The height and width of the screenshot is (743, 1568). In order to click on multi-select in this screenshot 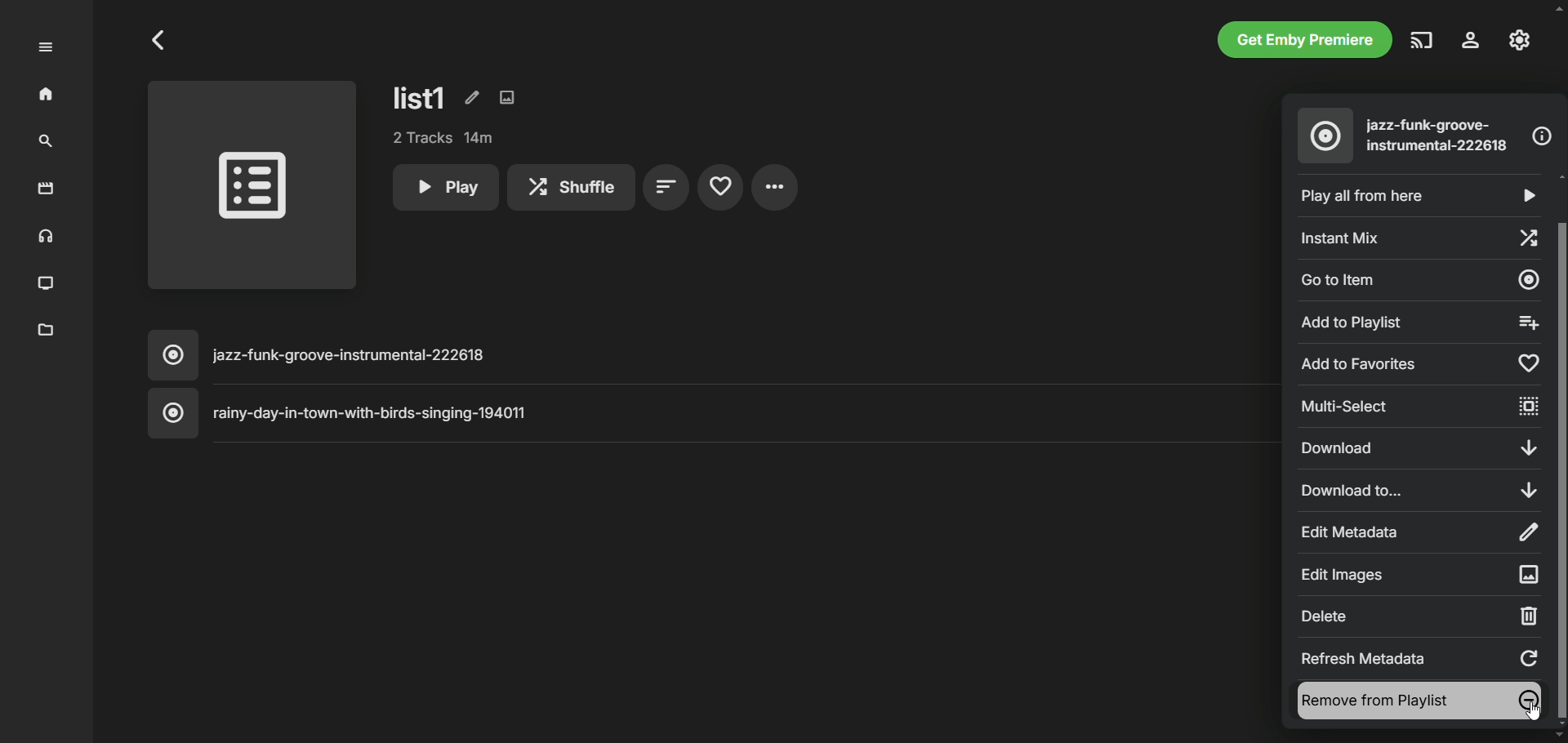, I will do `click(1418, 407)`.